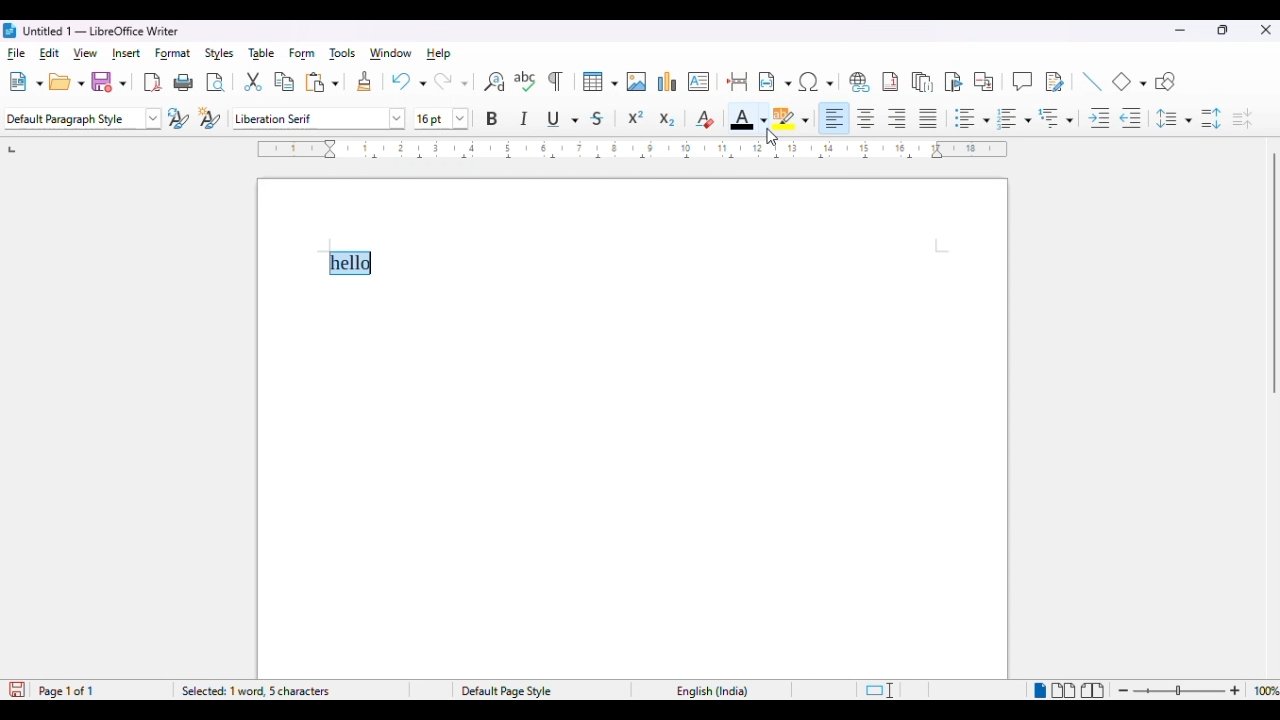  Describe the element at coordinates (775, 82) in the screenshot. I see `insert field` at that location.